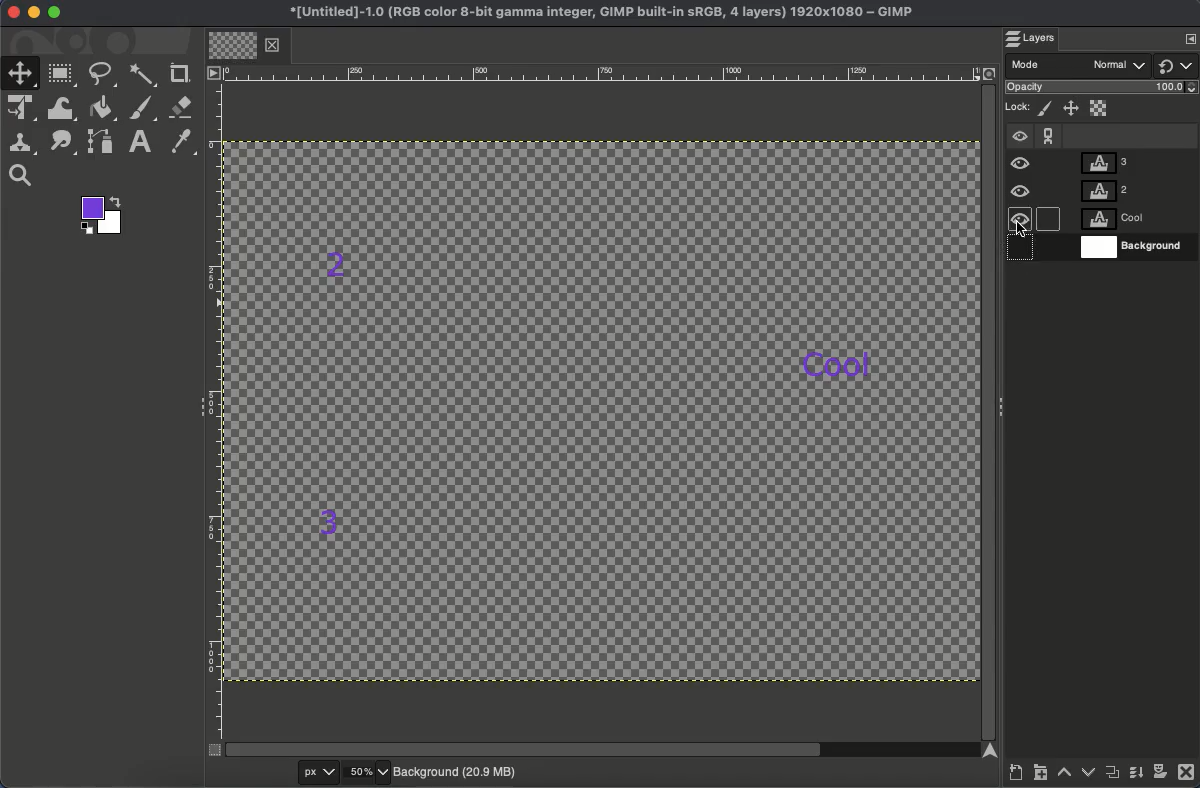 The height and width of the screenshot is (788, 1200). Describe the element at coordinates (601, 73) in the screenshot. I see `Ruler` at that location.